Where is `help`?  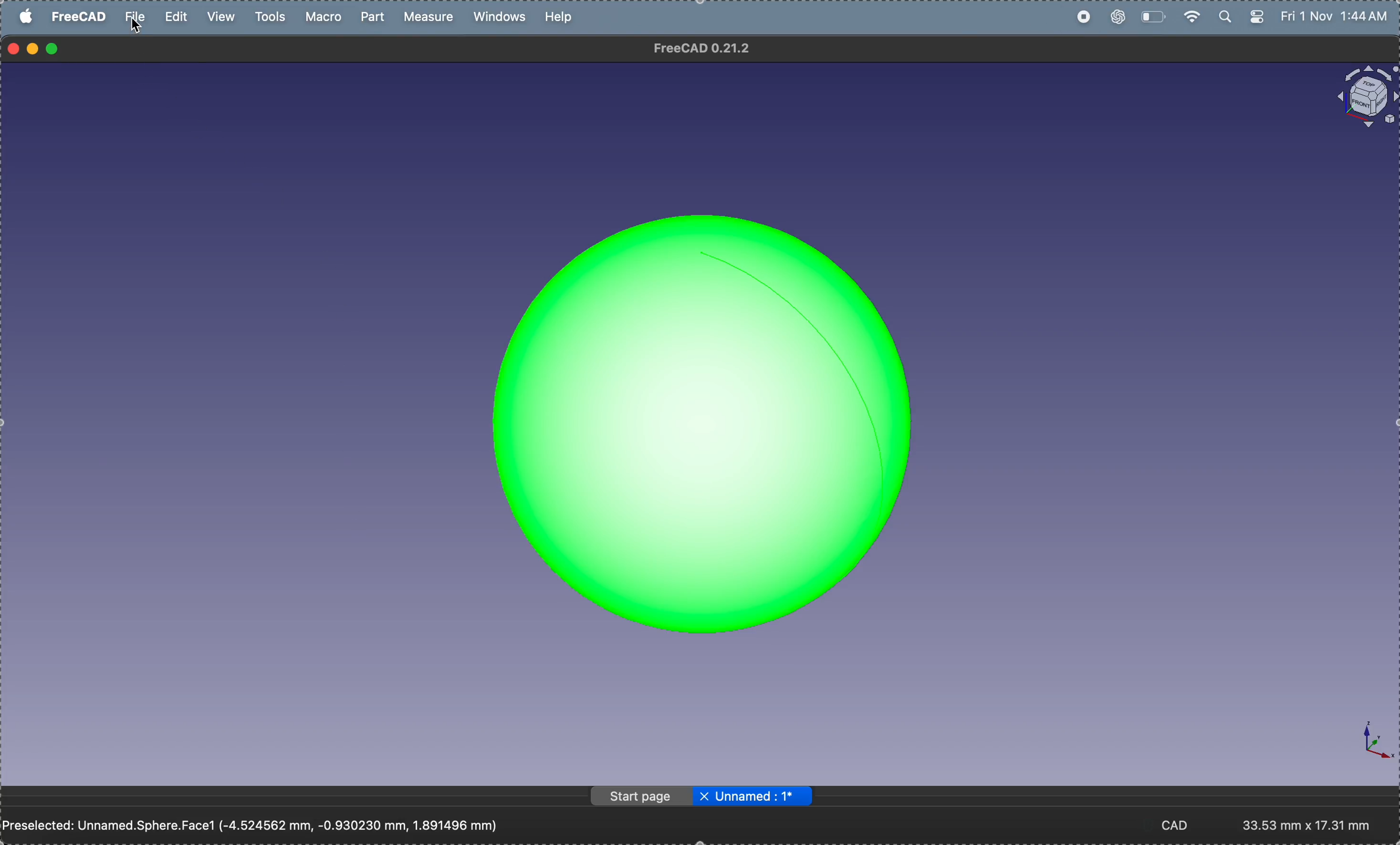 help is located at coordinates (561, 16).